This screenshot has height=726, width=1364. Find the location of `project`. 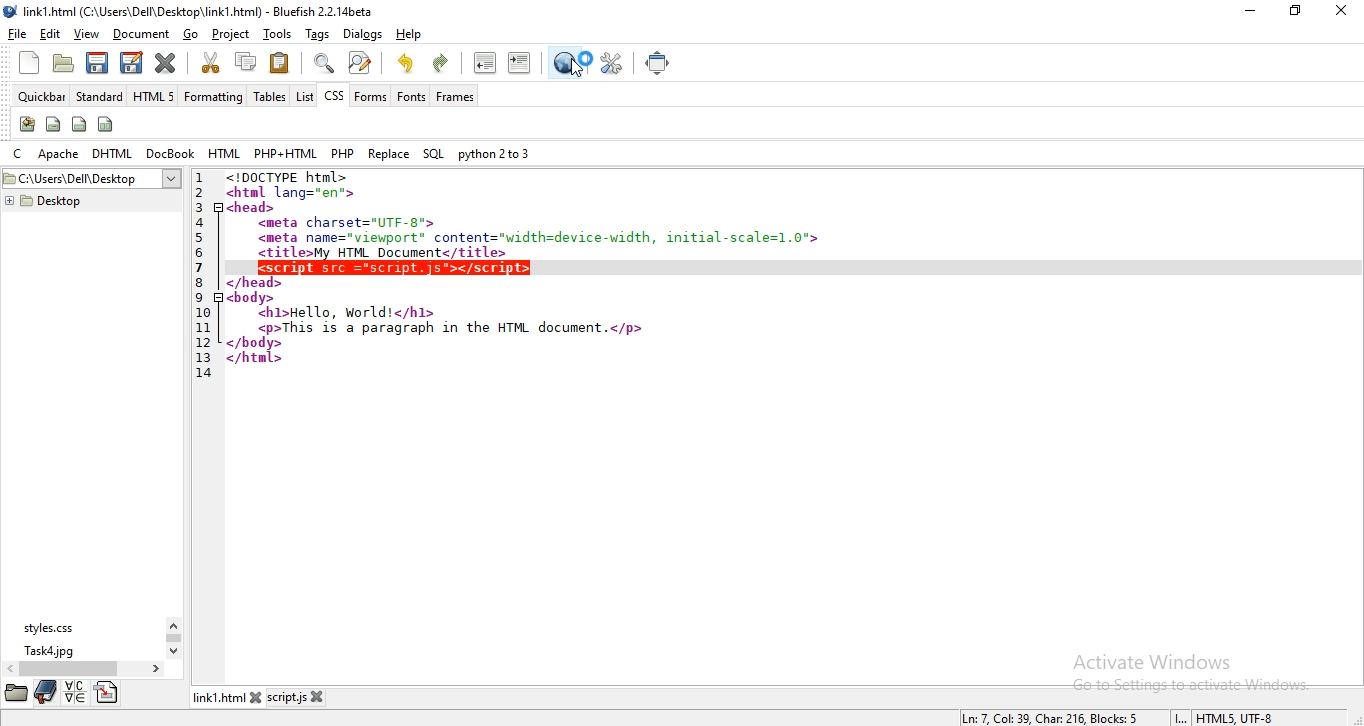

project is located at coordinates (231, 34).